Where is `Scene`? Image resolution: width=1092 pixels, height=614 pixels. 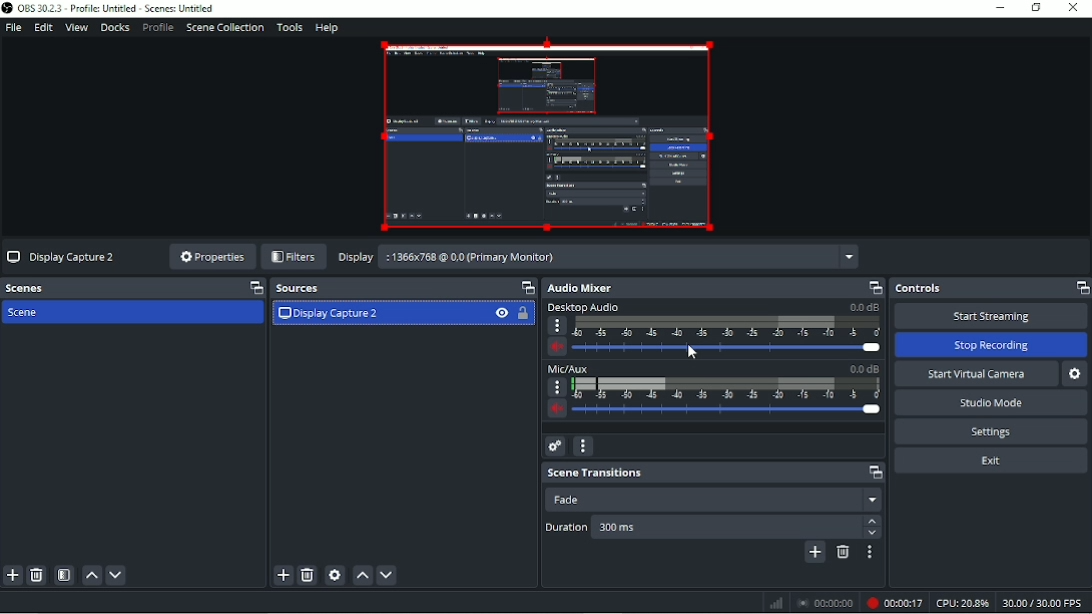
Scene is located at coordinates (27, 313).